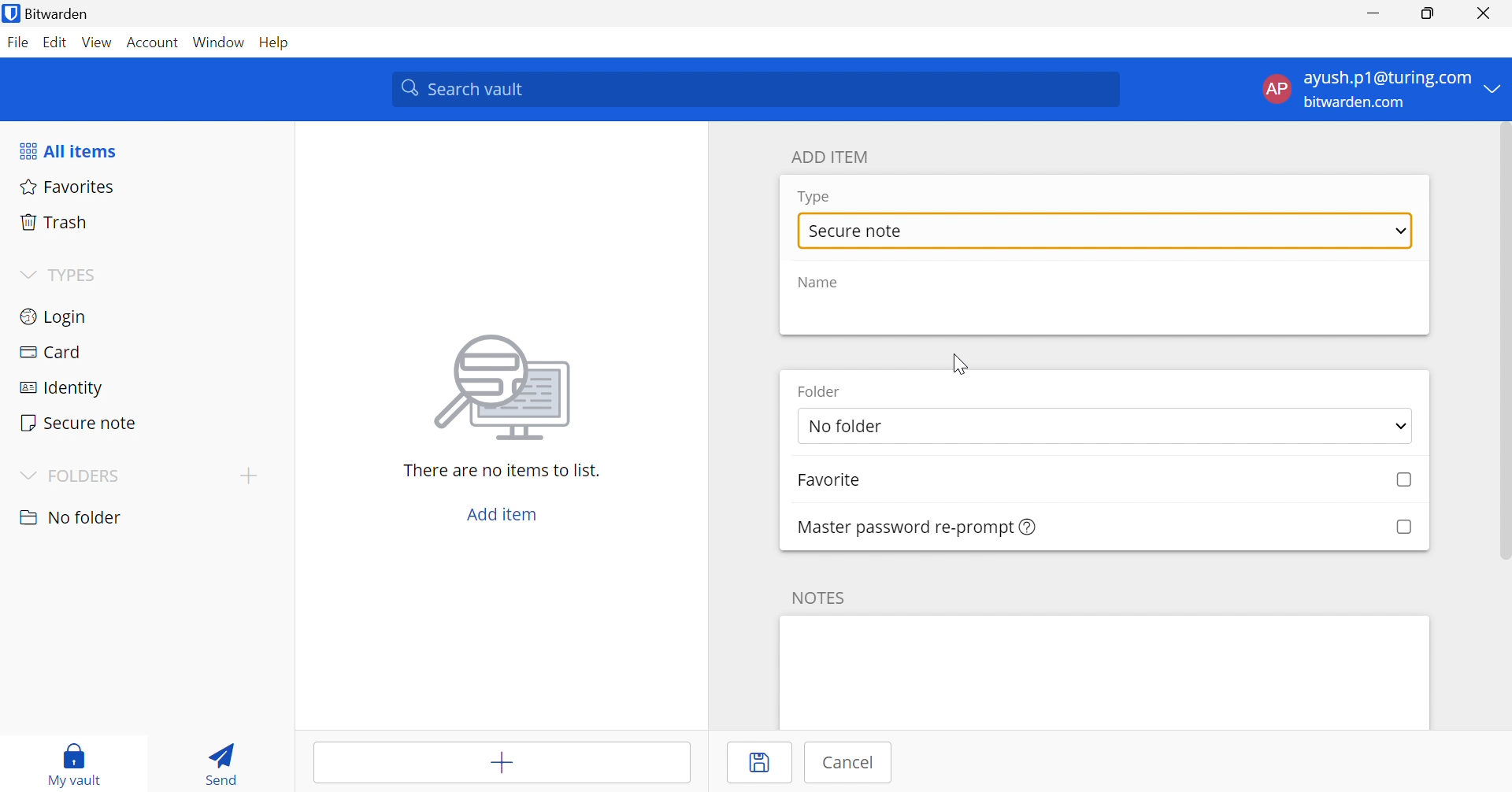 The width and height of the screenshot is (1512, 792). What do you see at coordinates (143, 420) in the screenshot?
I see `Secure note` at bounding box center [143, 420].